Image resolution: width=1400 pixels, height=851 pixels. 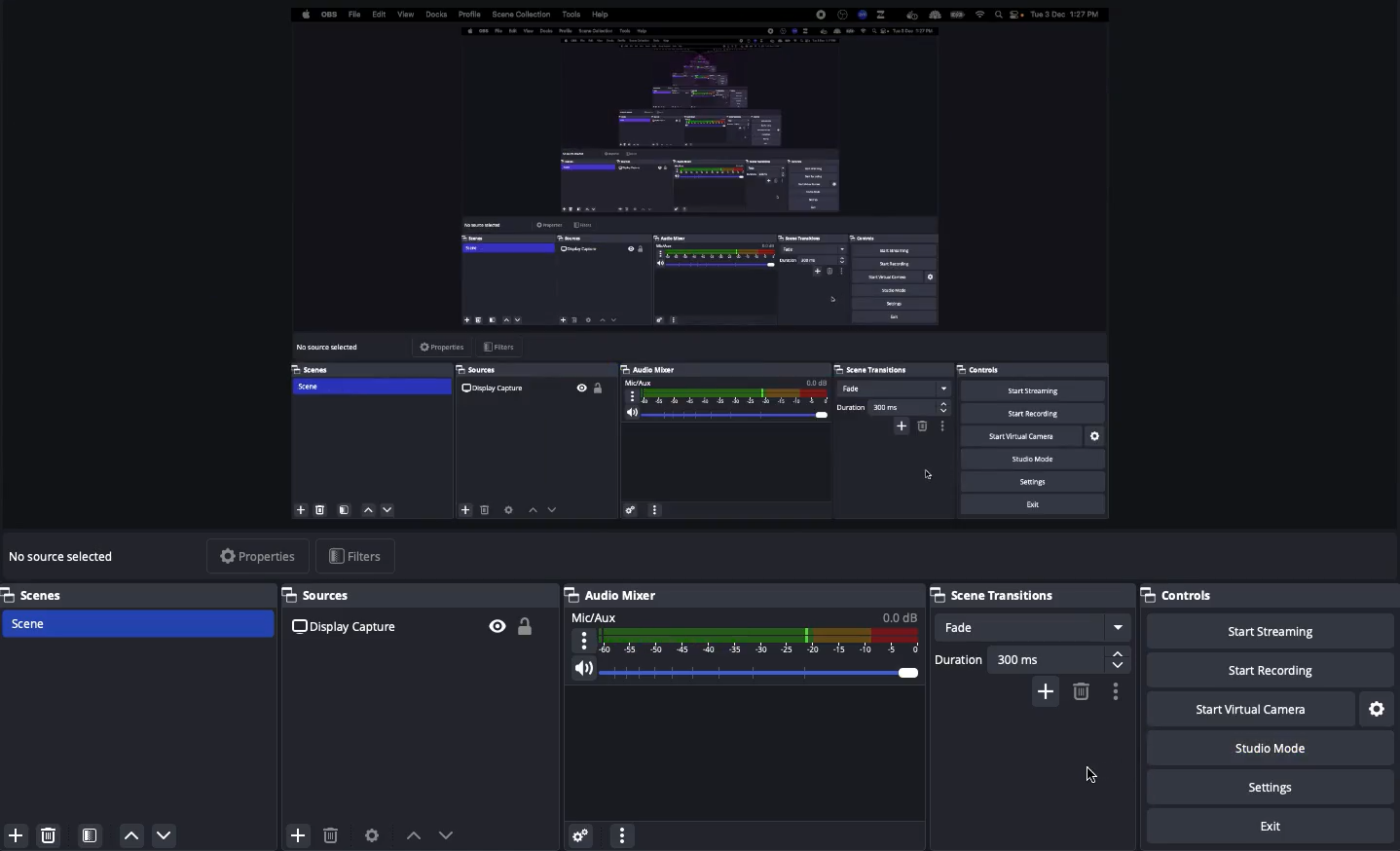 I want to click on Sources, so click(x=419, y=596).